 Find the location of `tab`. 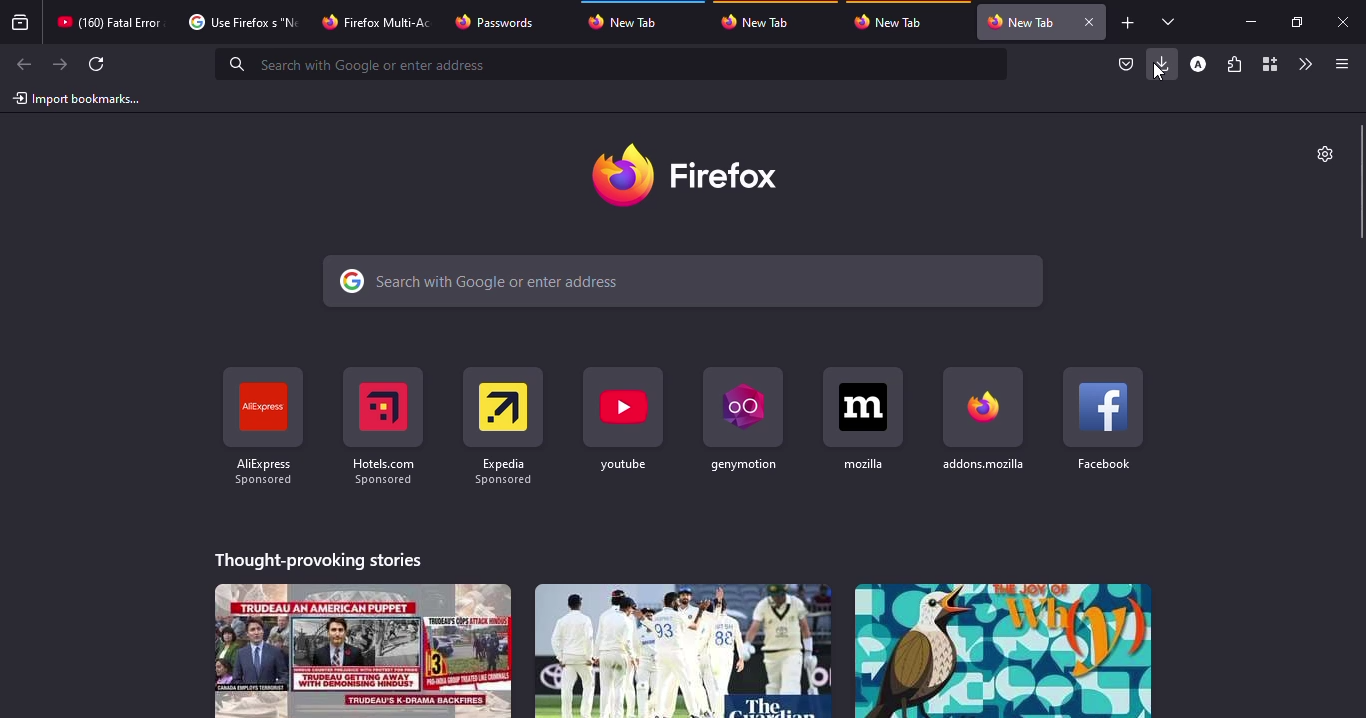

tab is located at coordinates (109, 22).